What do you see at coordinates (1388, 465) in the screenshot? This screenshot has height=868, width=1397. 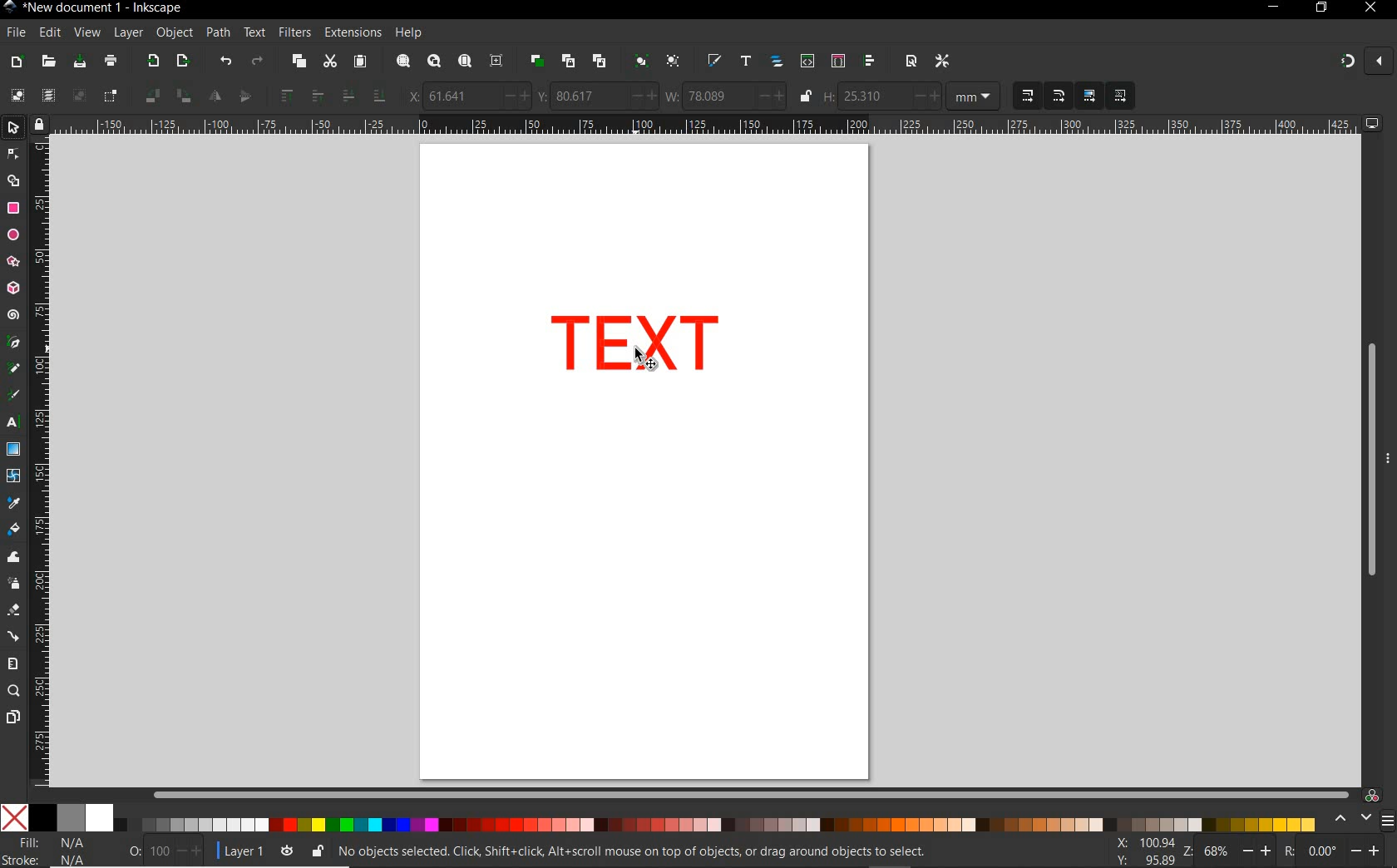 I see `More ` at bounding box center [1388, 465].